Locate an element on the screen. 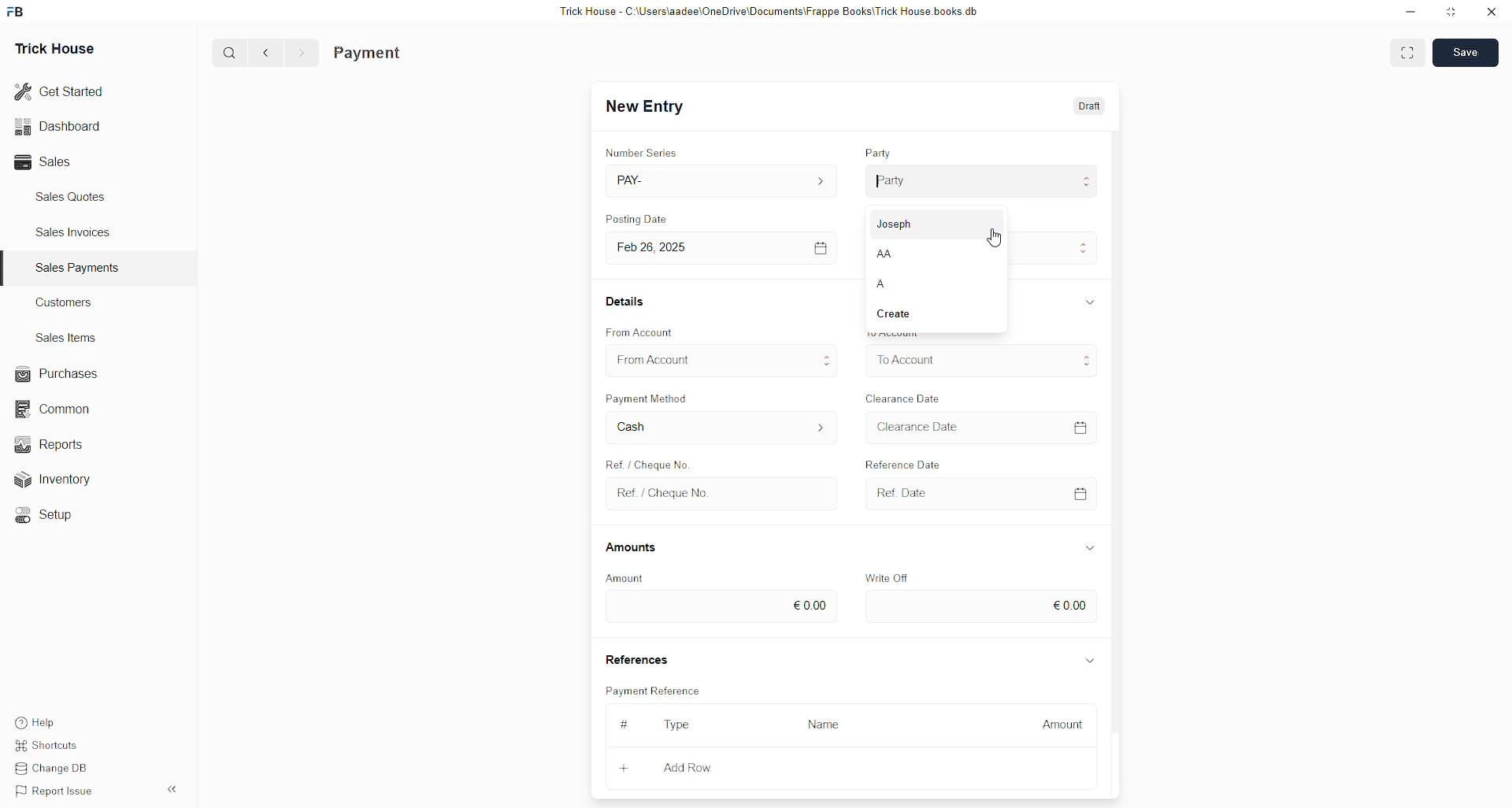  Trick House - C:\Users\aadee\OneDrive\Documents\Frappe Books\Trick House books db is located at coordinates (770, 12).